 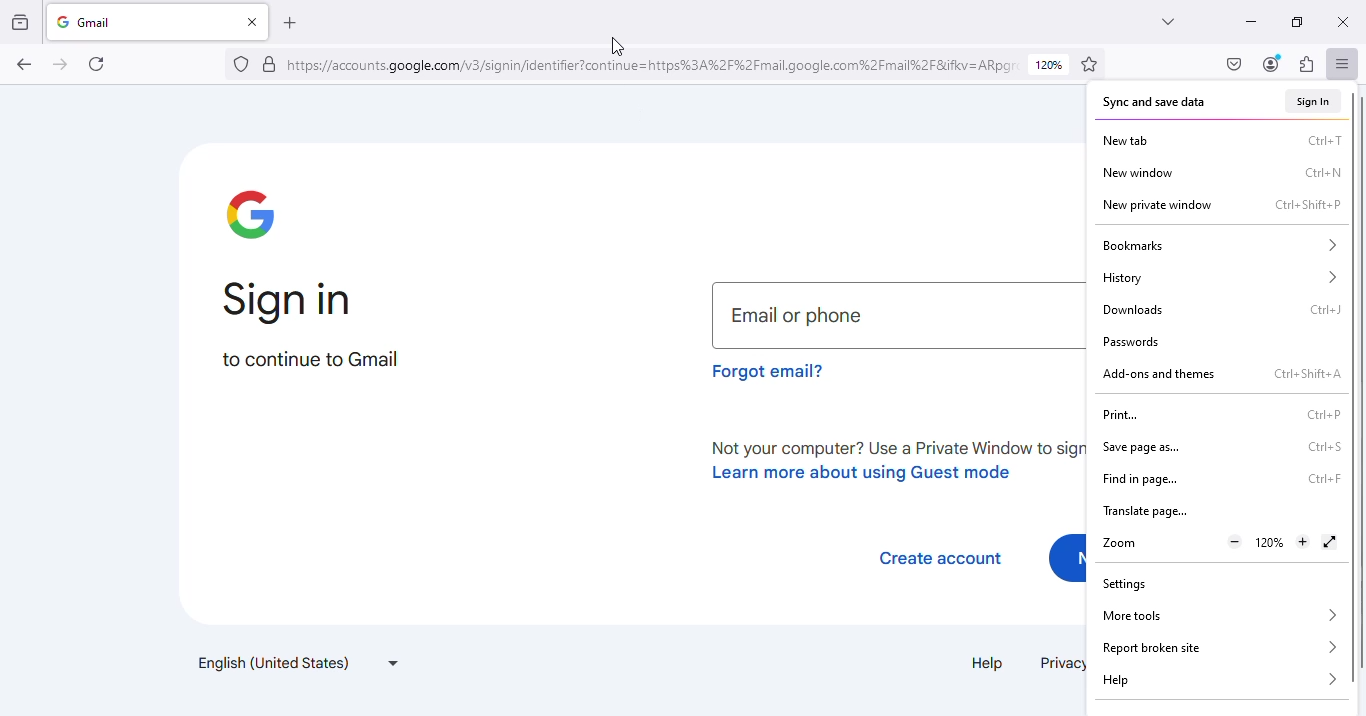 What do you see at coordinates (1235, 64) in the screenshot?
I see `save to pocket` at bounding box center [1235, 64].